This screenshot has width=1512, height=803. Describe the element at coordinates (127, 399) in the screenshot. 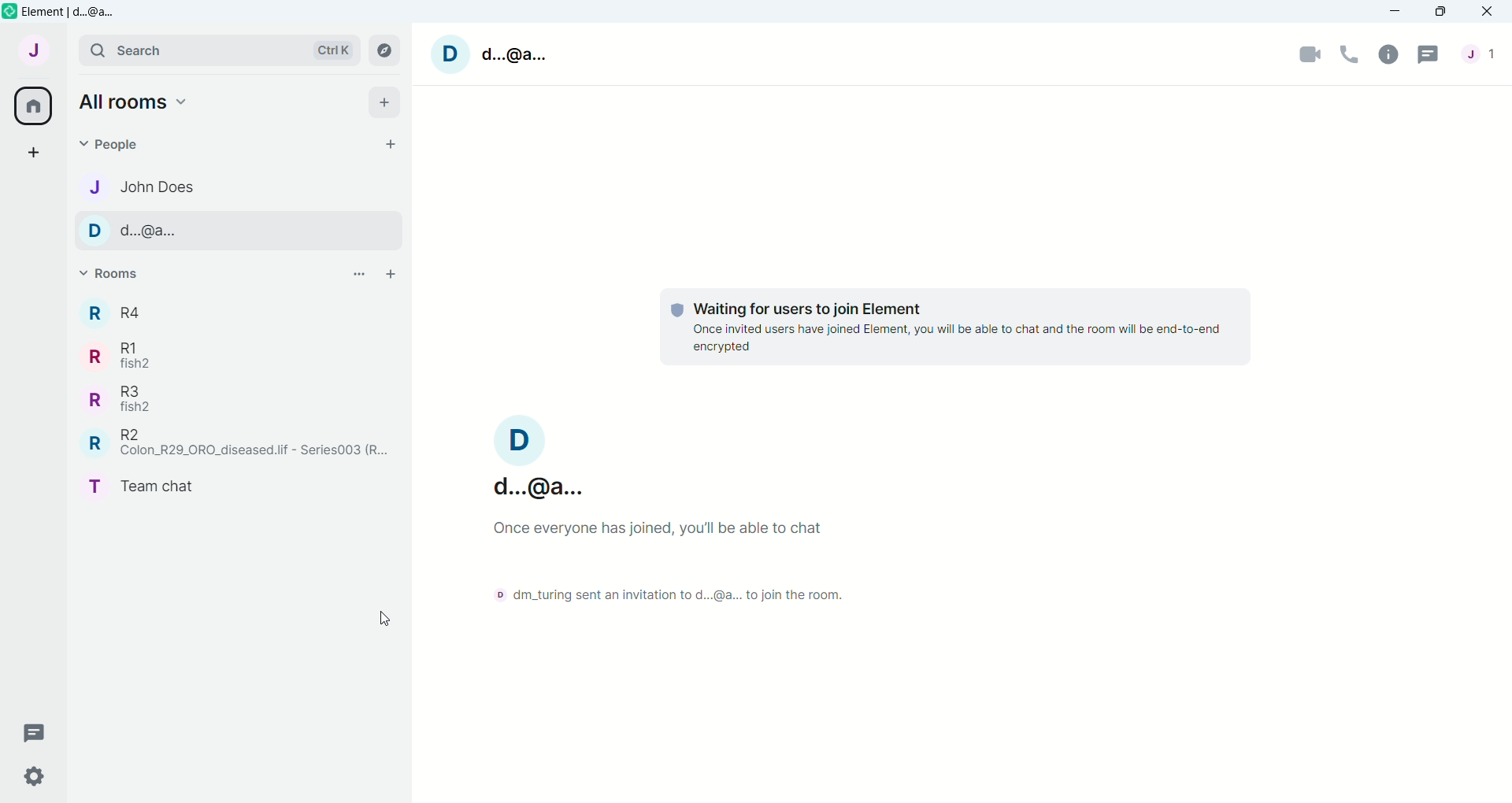

I see `R R3 fish2` at that location.